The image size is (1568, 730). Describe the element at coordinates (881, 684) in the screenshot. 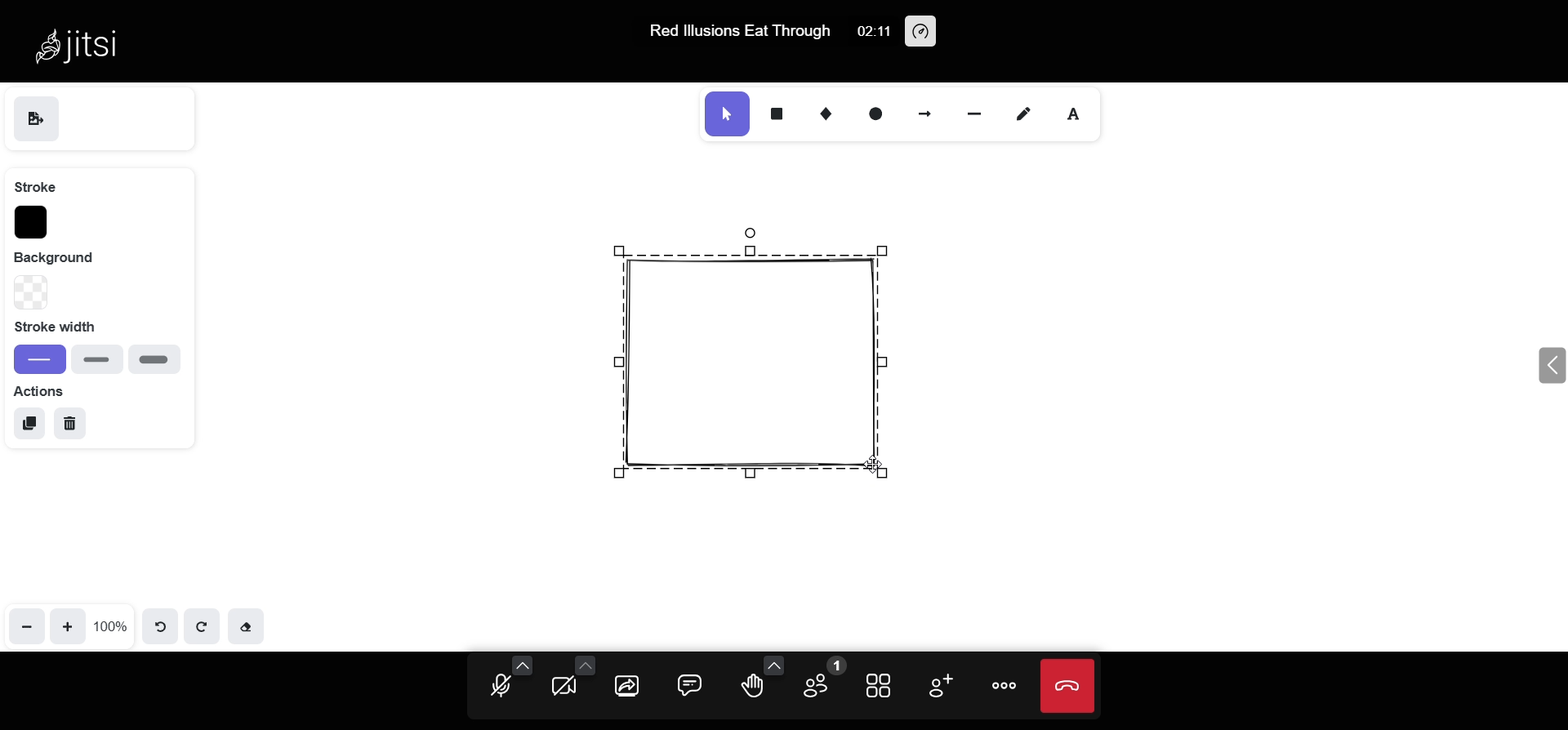

I see `tile view` at that location.